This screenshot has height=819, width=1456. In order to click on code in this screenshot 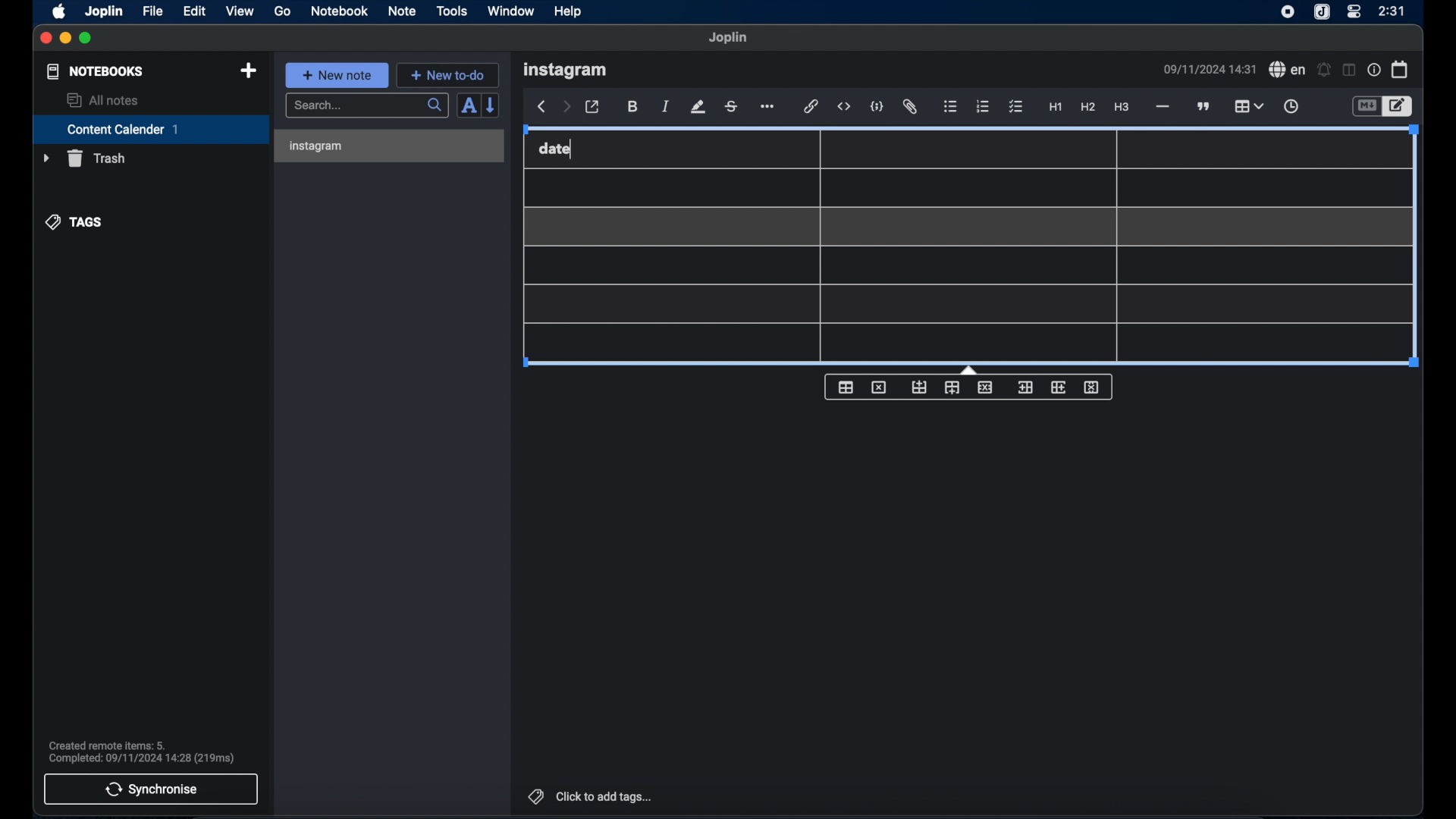, I will do `click(876, 106)`.